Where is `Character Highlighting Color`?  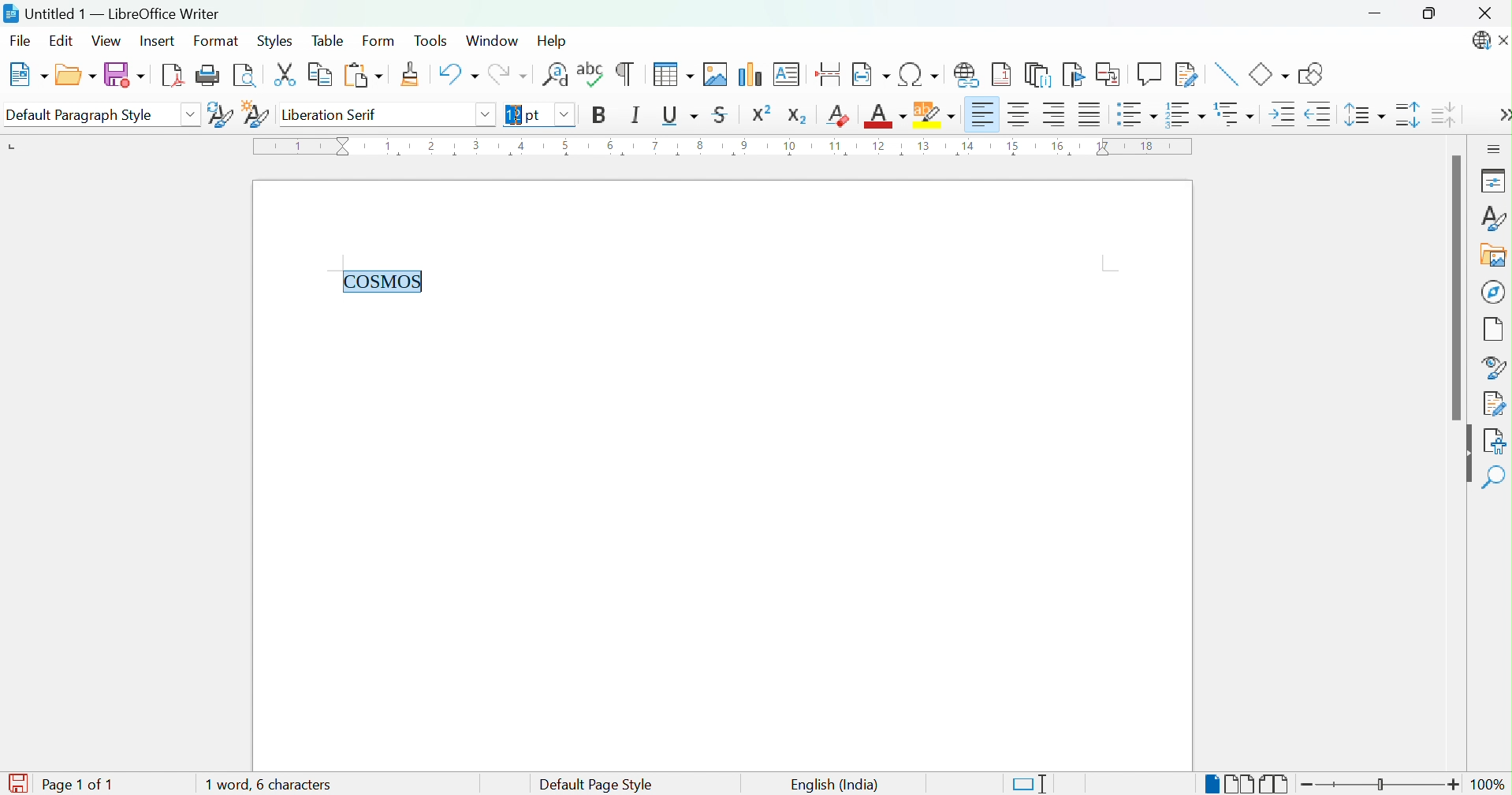 Character Highlighting Color is located at coordinates (932, 114).